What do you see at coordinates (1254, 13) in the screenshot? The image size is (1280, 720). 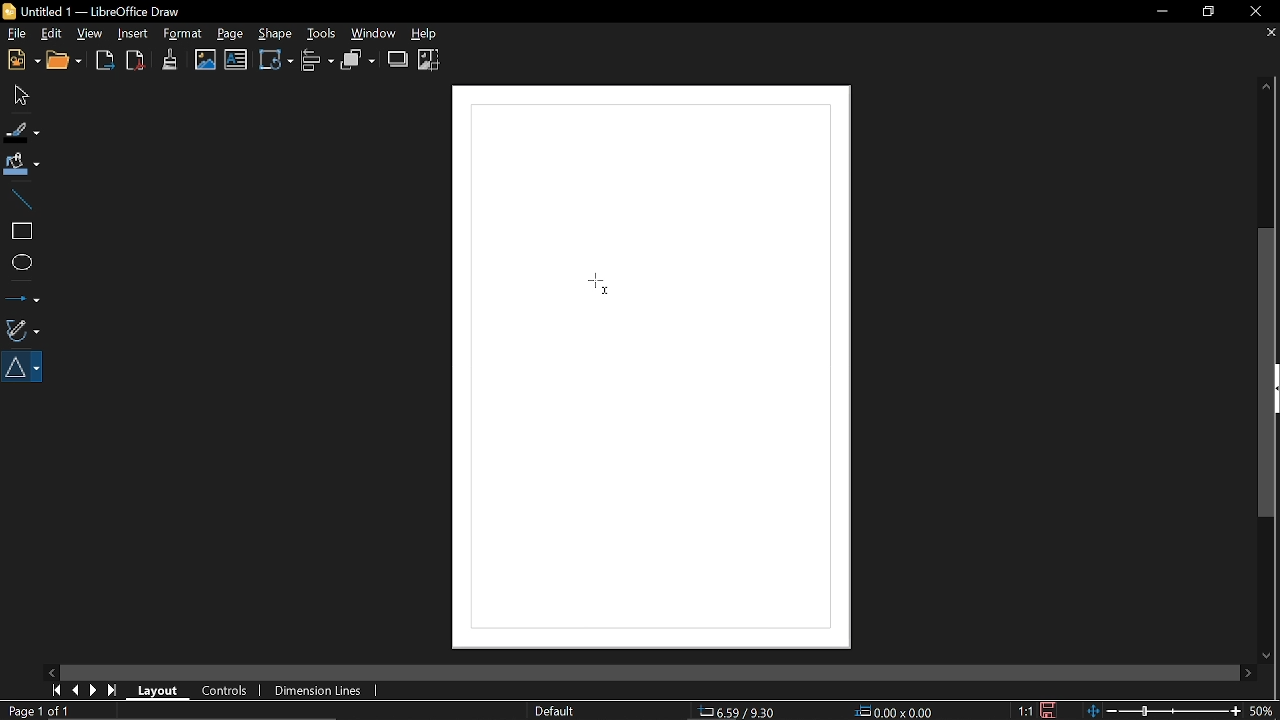 I see `Close` at bounding box center [1254, 13].